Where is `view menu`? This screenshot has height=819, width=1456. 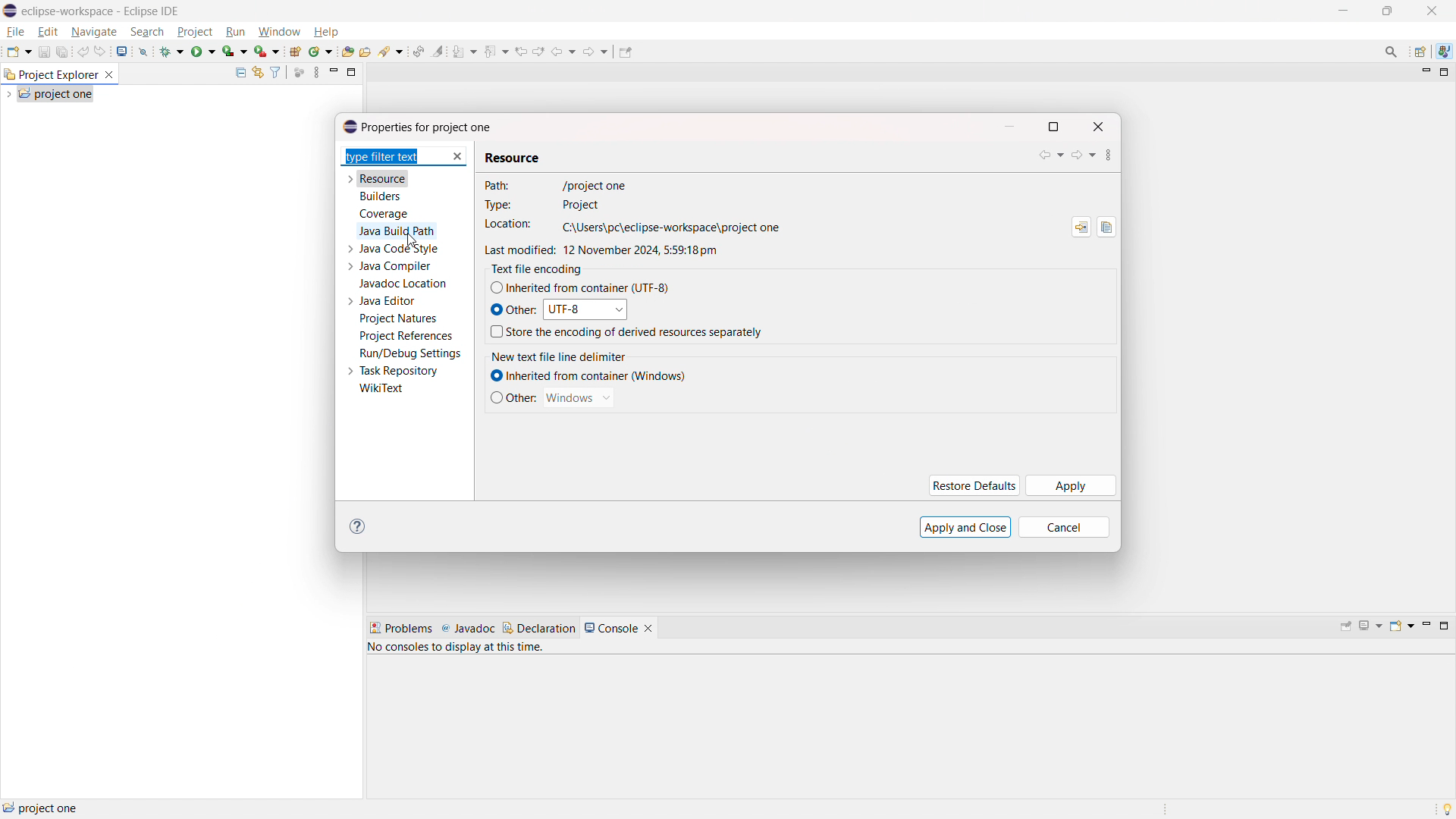
view menu is located at coordinates (1107, 155).